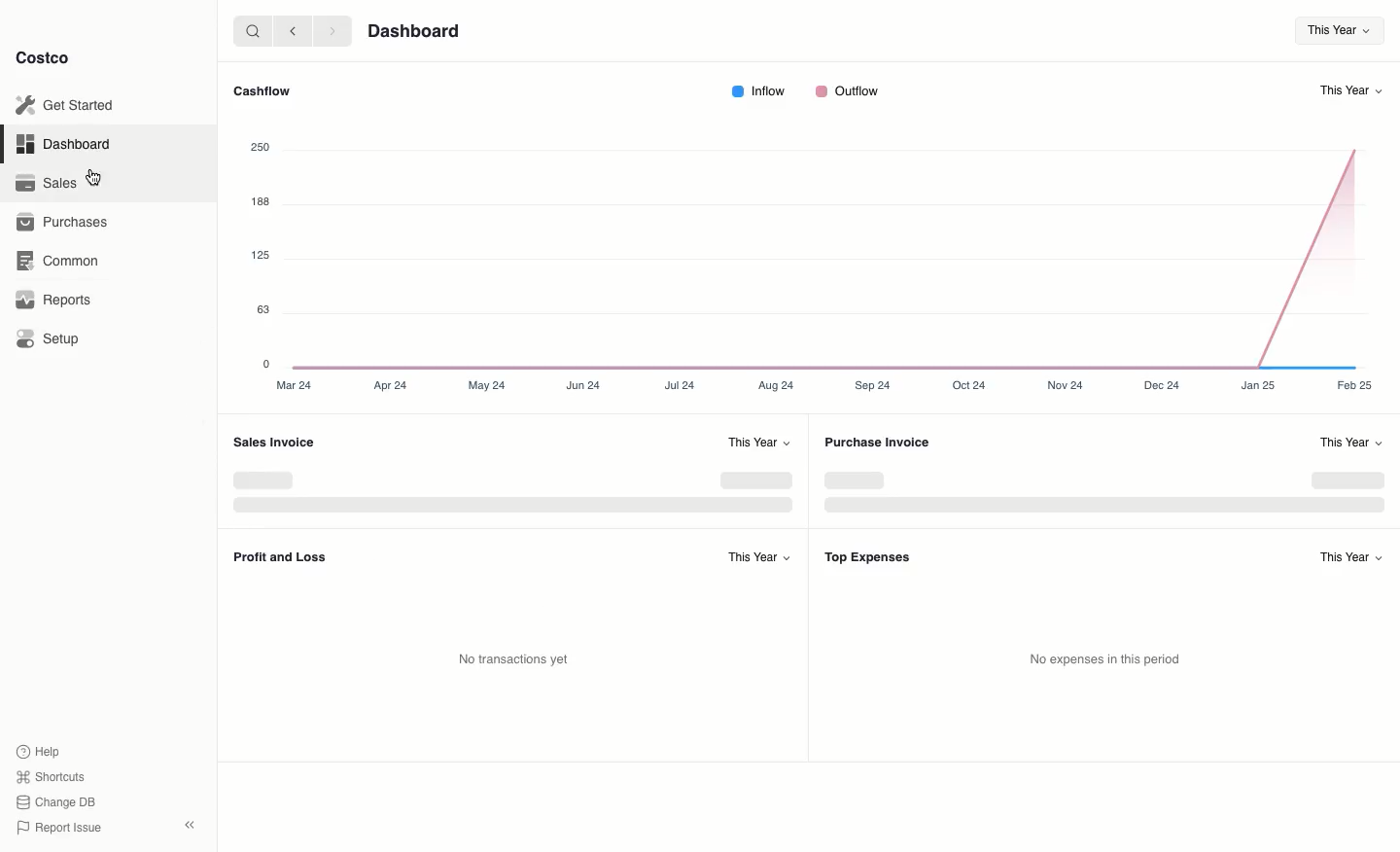 The height and width of the screenshot is (852, 1400). Describe the element at coordinates (757, 555) in the screenshot. I see `This Year` at that location.